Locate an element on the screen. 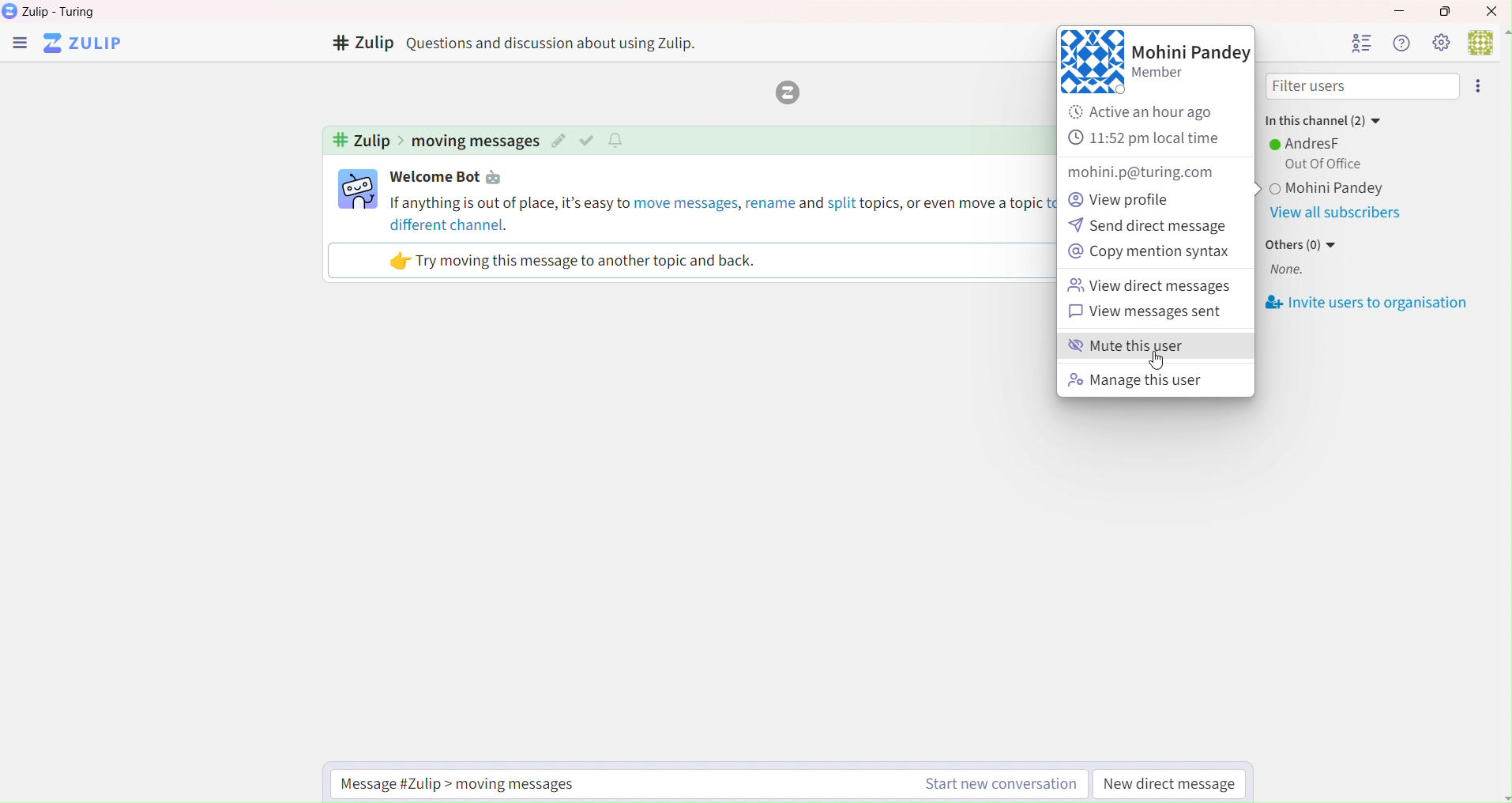  Info is located at coordinates (1400, 43).